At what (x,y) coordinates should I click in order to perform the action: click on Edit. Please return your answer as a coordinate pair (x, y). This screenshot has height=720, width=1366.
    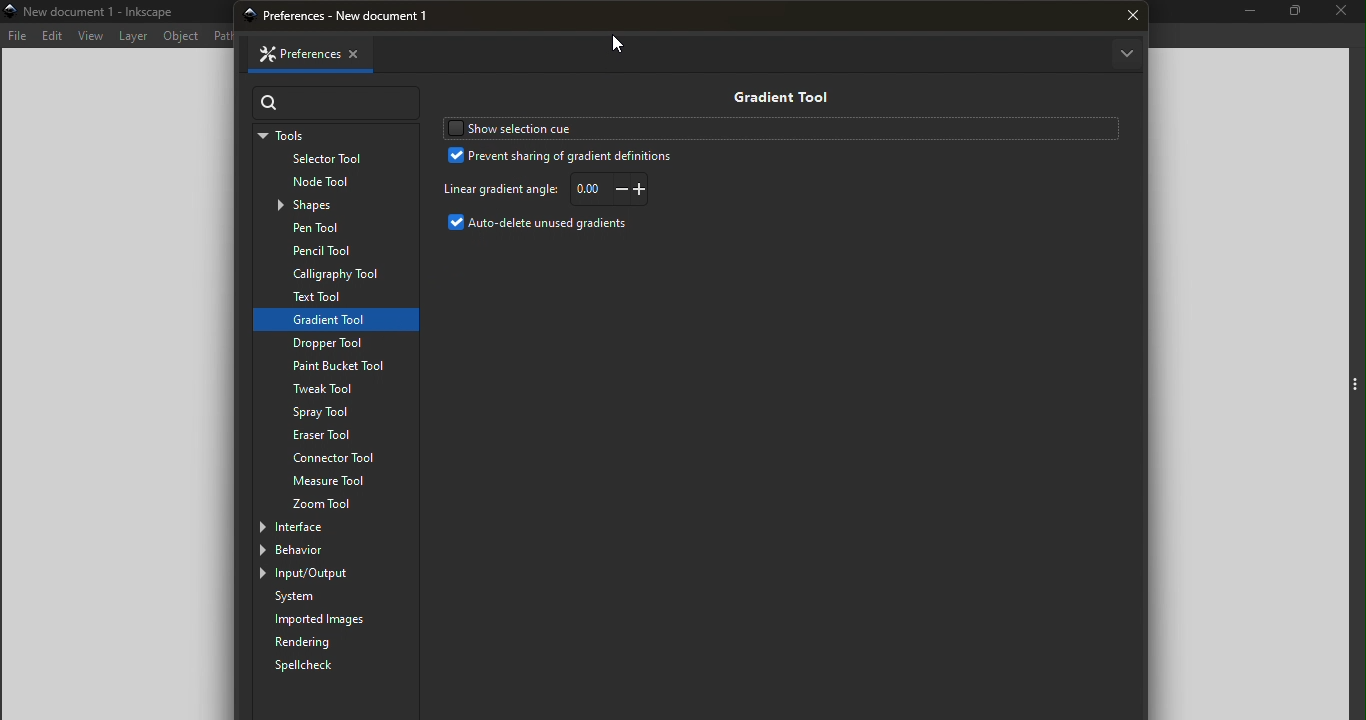
    Looking at the image, I should click on (52, 36).